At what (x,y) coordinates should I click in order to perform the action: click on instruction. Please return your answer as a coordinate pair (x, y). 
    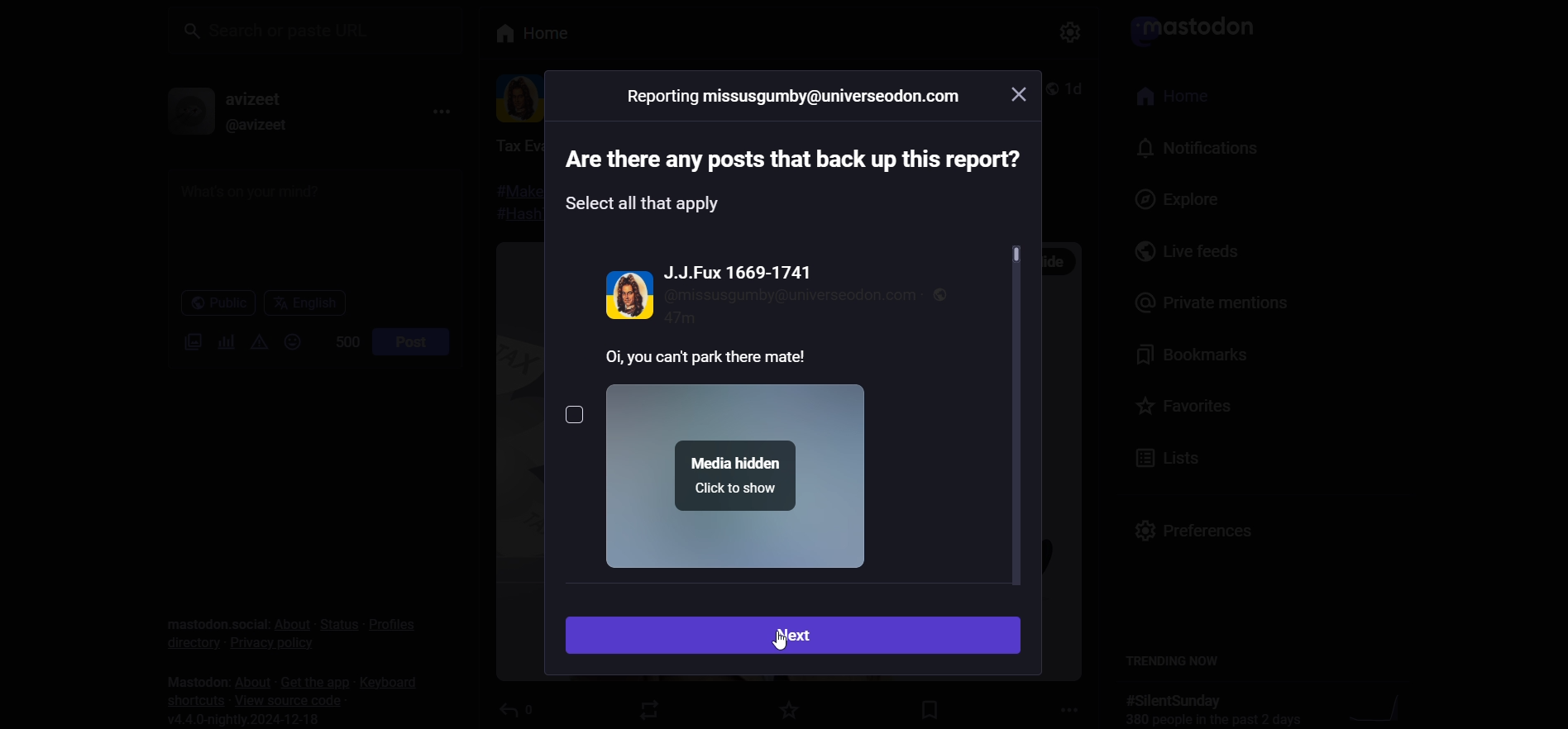
    Looking at the image, I should click on (791, 178).